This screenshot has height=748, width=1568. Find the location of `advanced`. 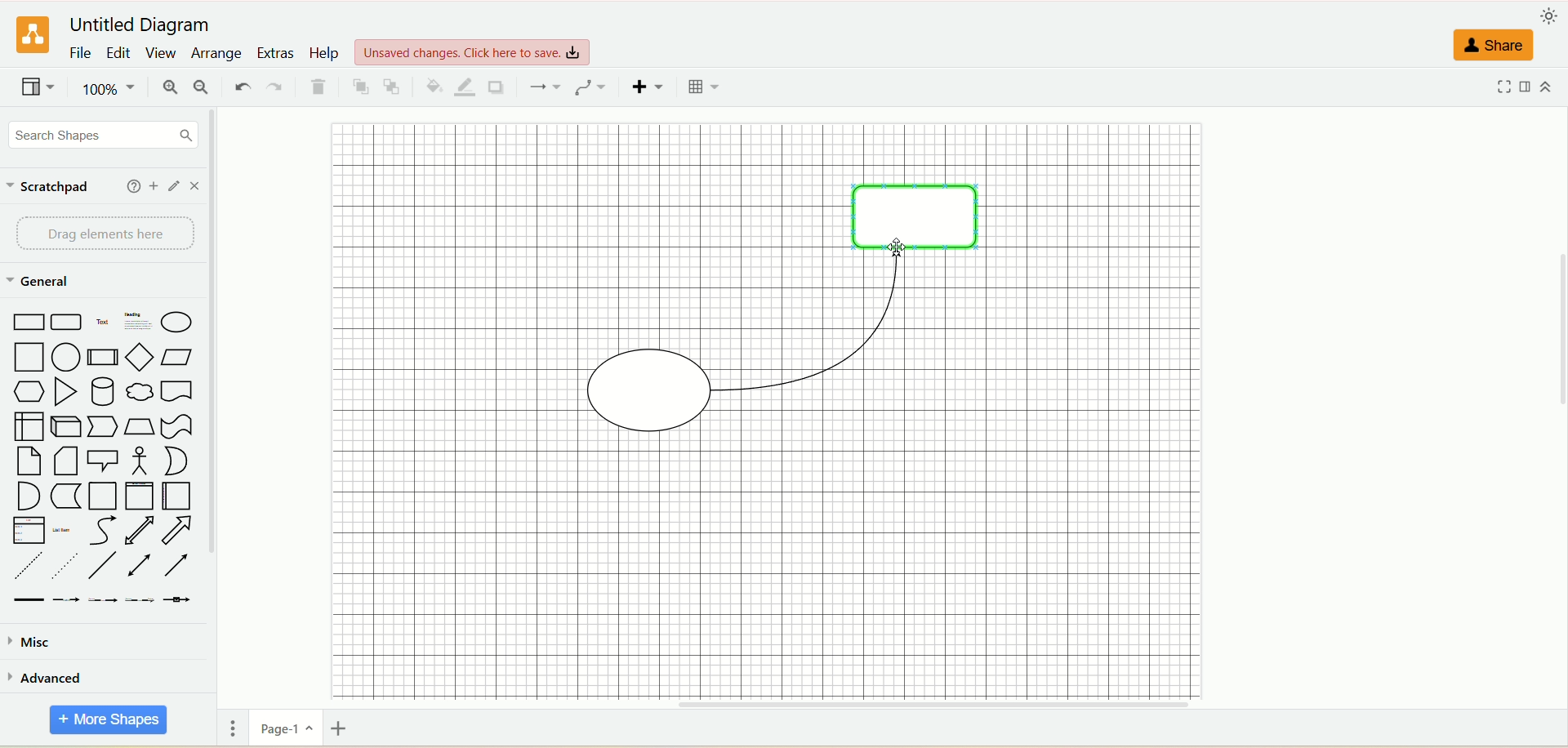

advanced is located at coordinates (47, 677).